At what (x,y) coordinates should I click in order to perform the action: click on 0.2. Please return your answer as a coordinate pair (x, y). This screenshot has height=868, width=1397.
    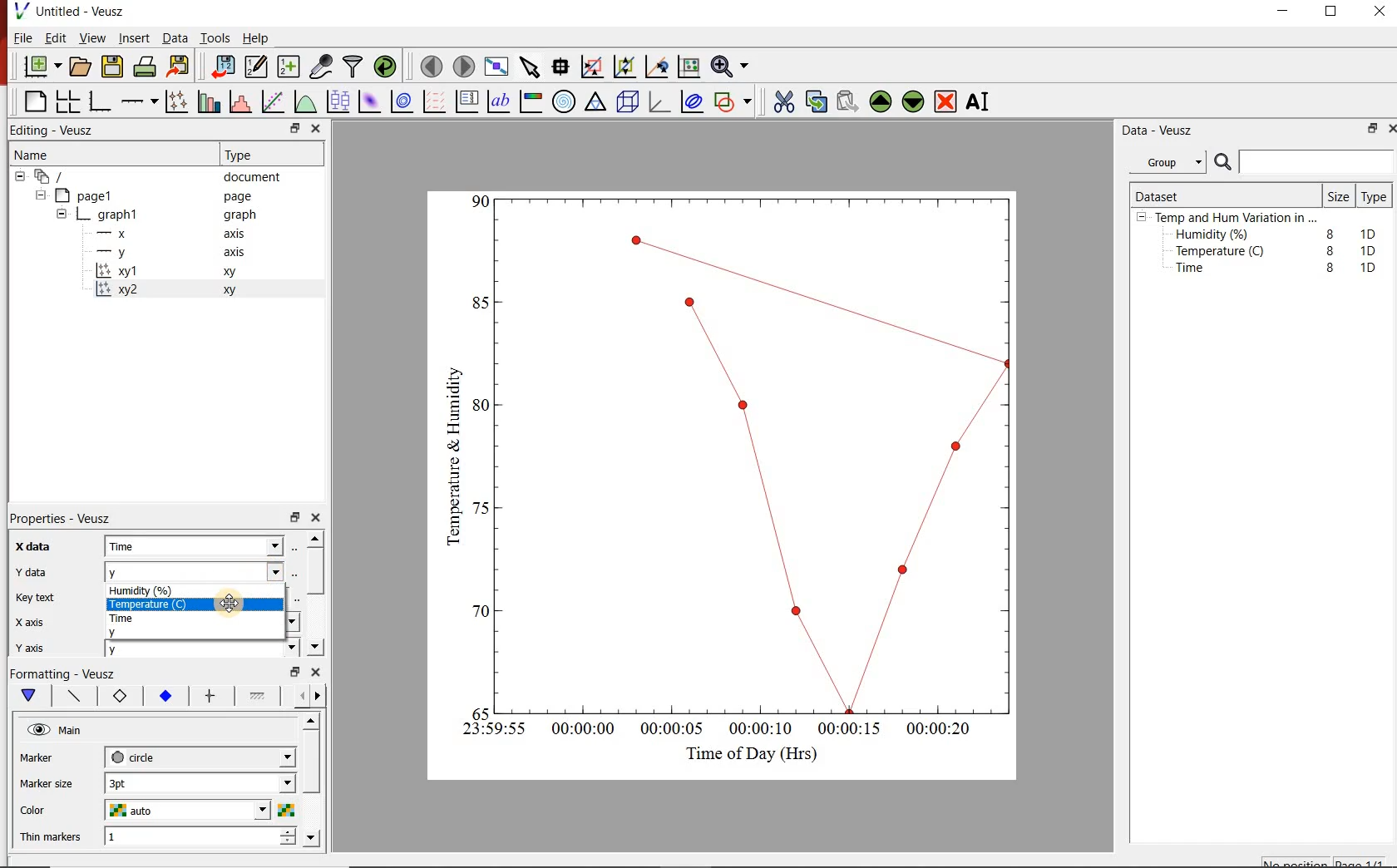
    Looking at the image, I should click on (476, 611).